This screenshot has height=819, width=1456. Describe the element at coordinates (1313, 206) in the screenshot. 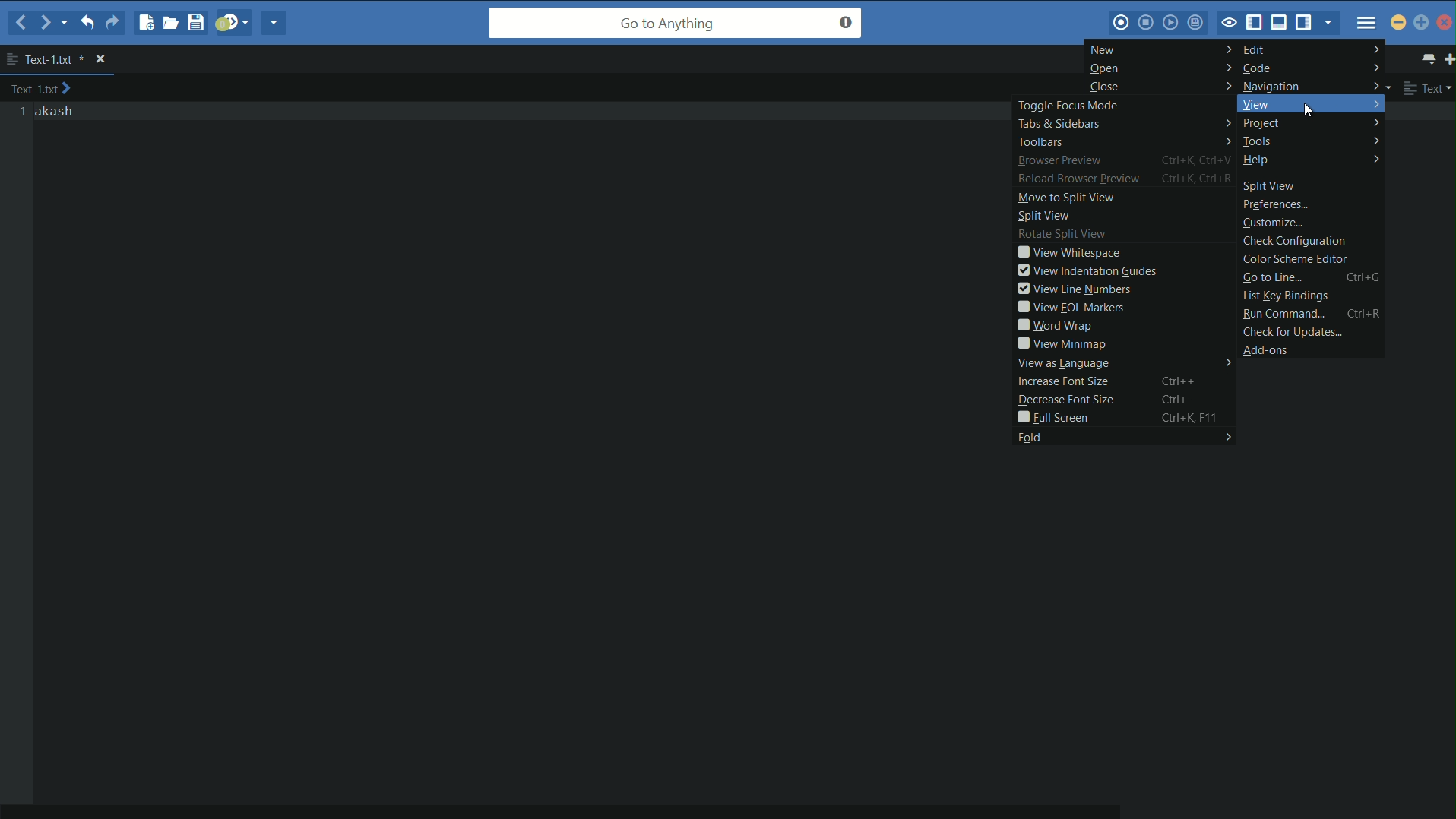

I see `preferences` at that location.